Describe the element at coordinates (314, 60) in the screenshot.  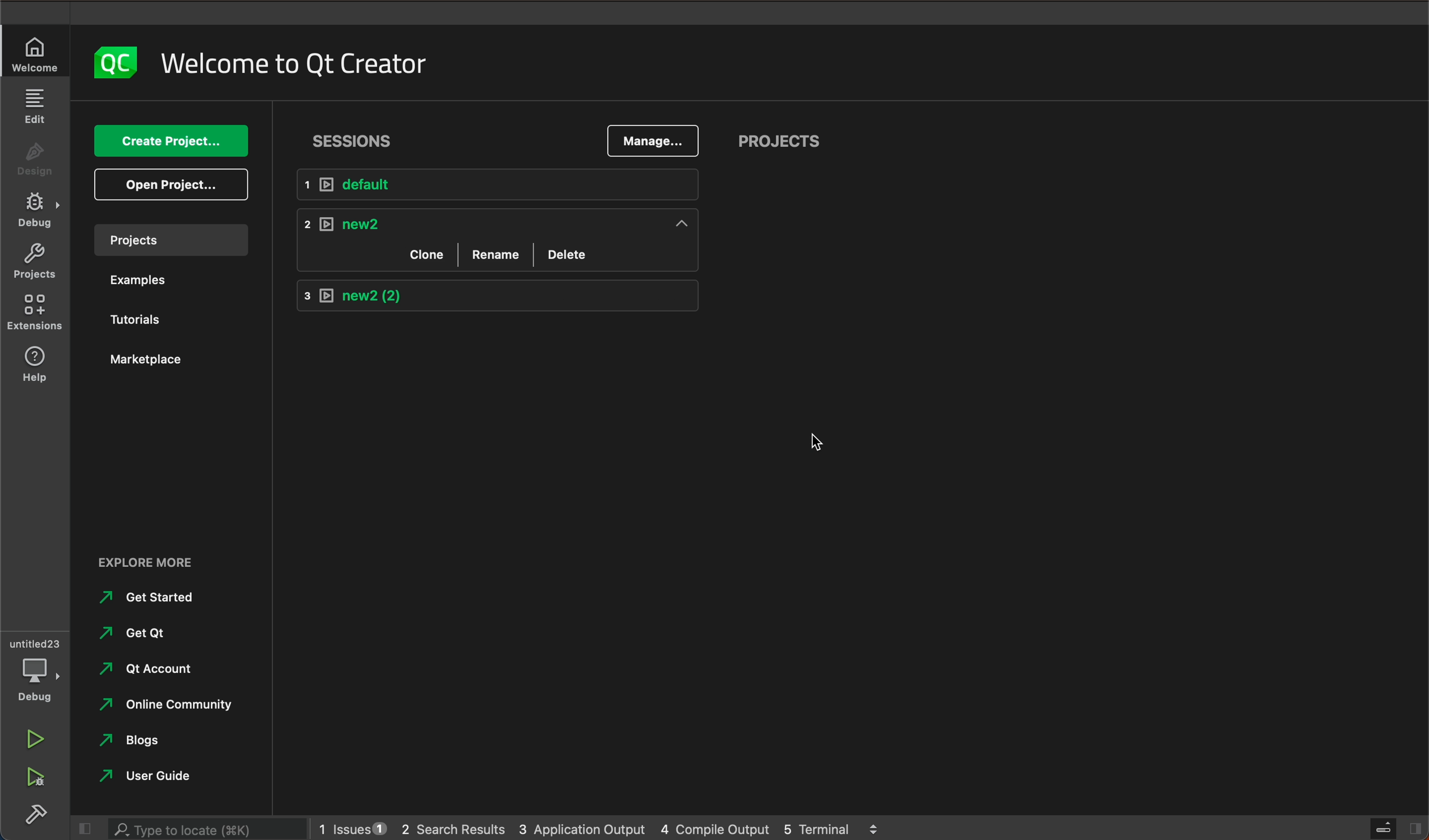
I see `welcome` at that location.